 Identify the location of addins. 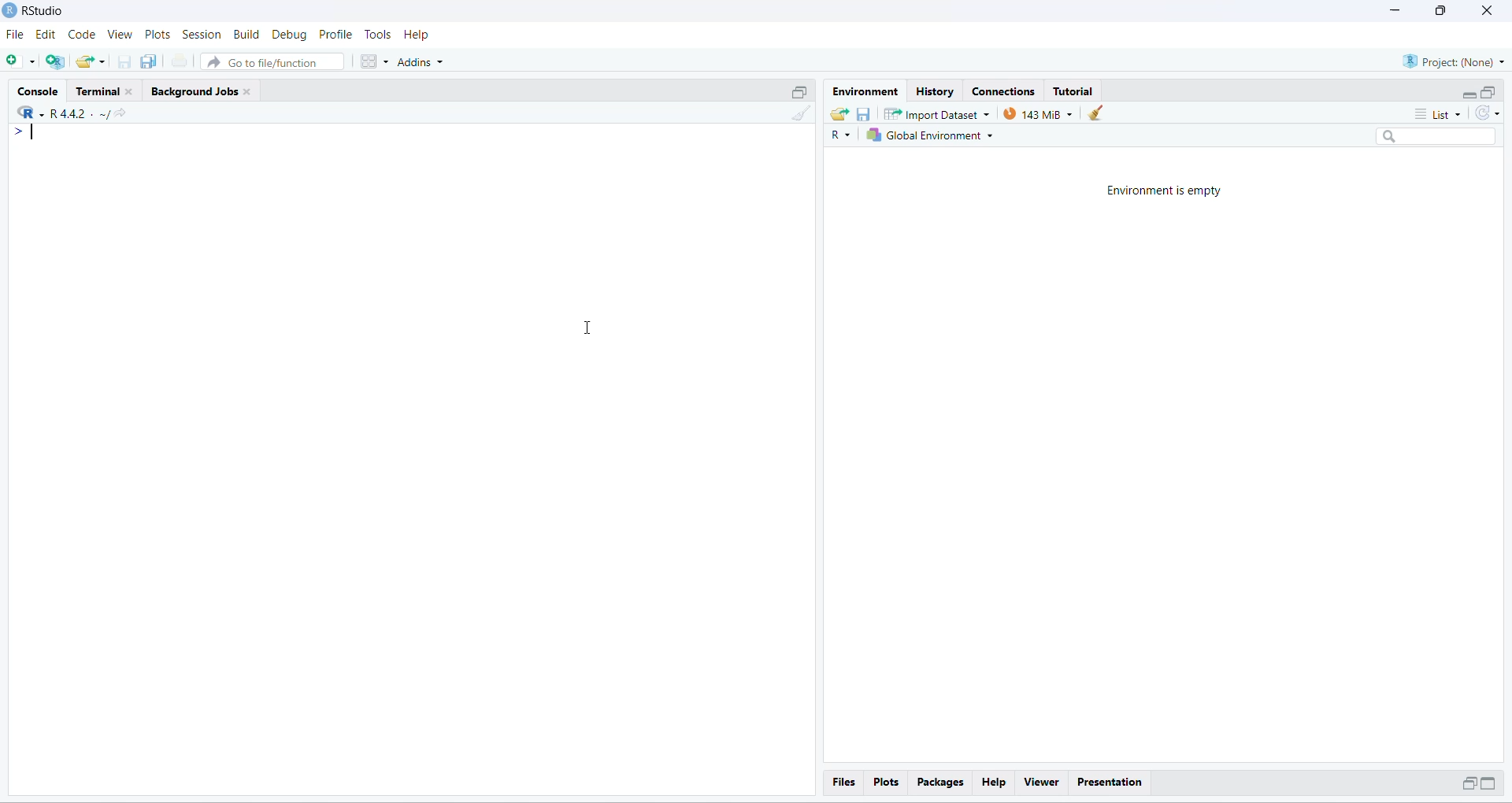
(423, 62).